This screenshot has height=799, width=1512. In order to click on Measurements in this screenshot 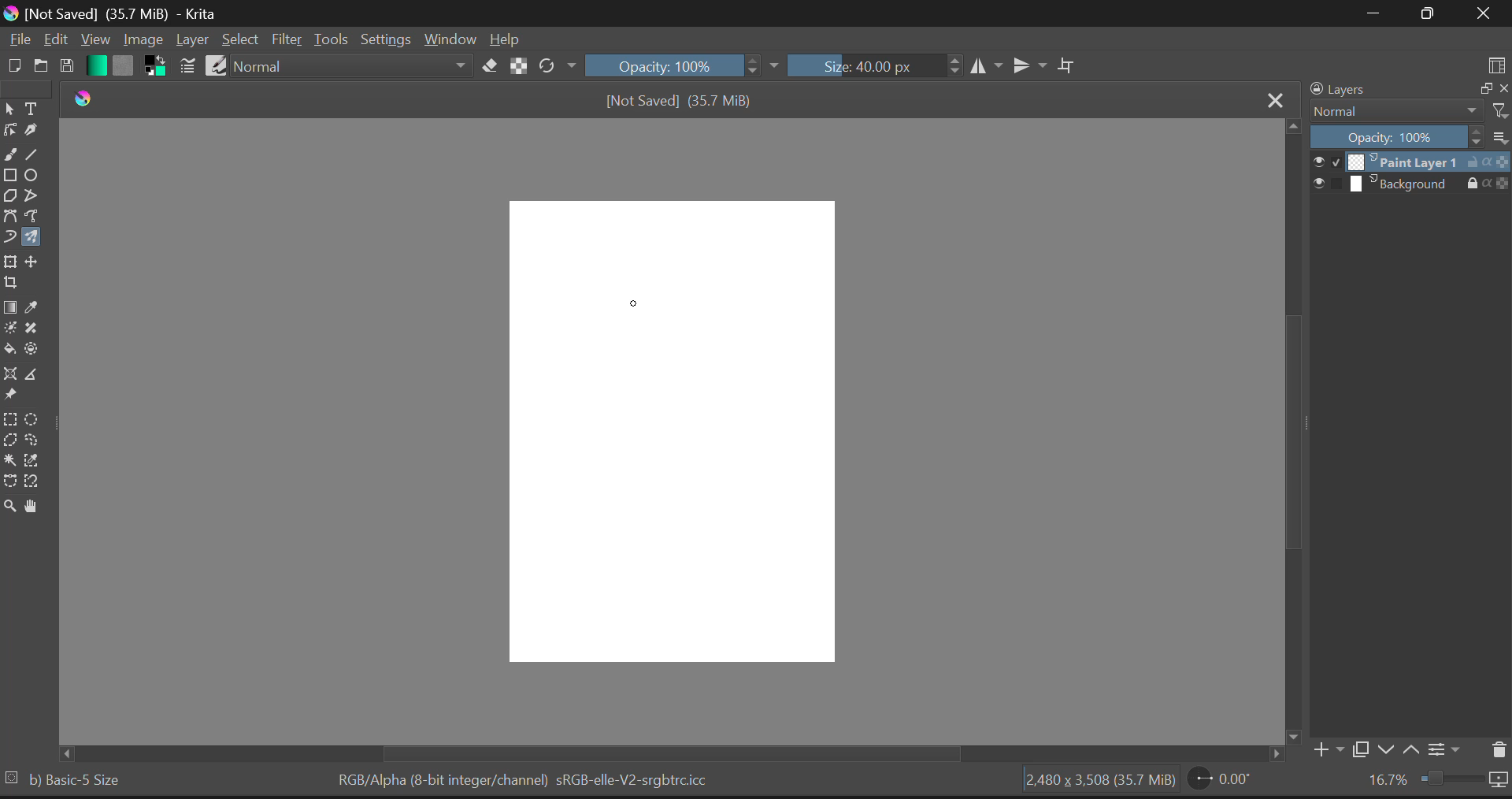, I will do `click(38, 377)`.